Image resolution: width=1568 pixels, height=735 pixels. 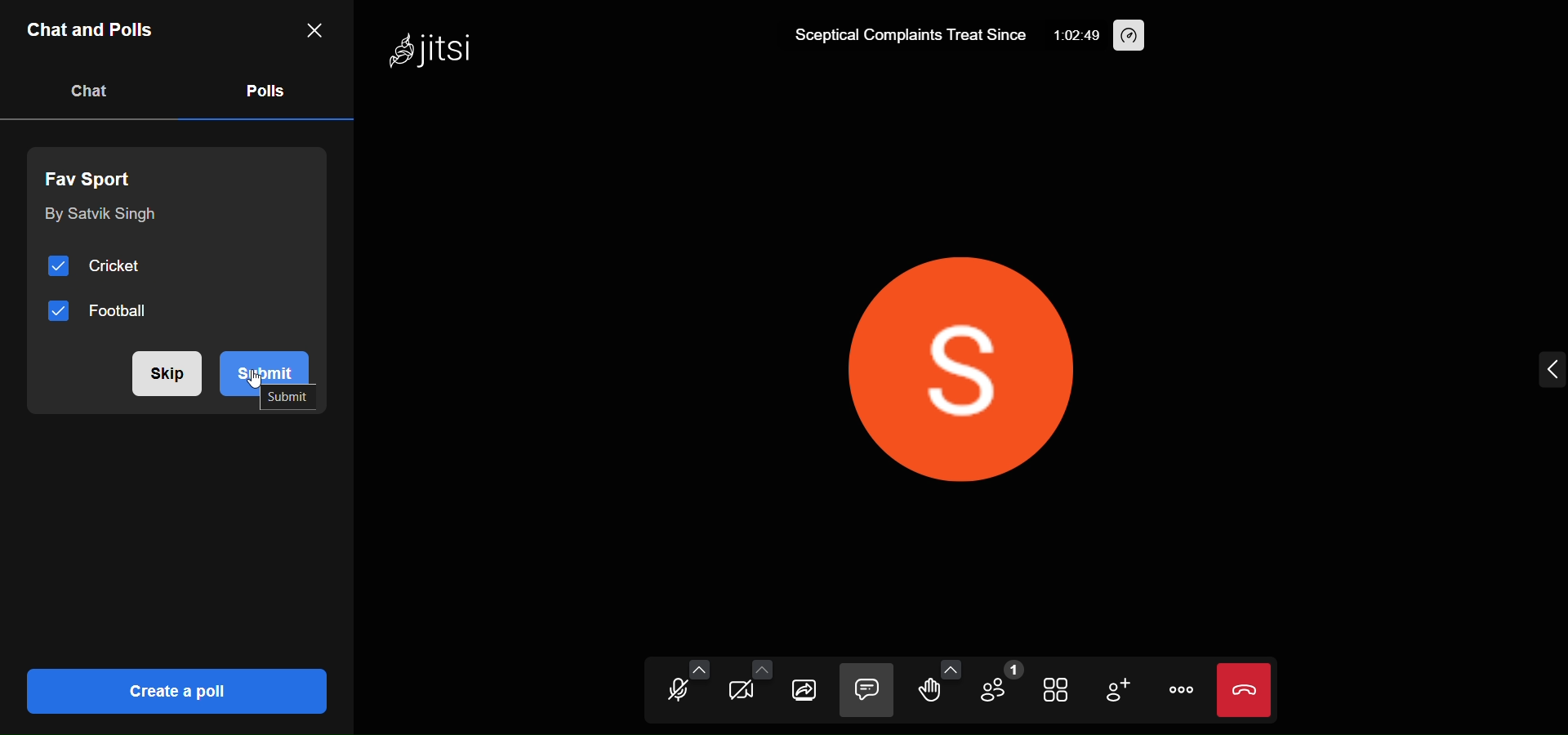 What do you see at coordinates (951, 668) in the screenshot?
I see `more emoji` at bounding box center [951, 668].